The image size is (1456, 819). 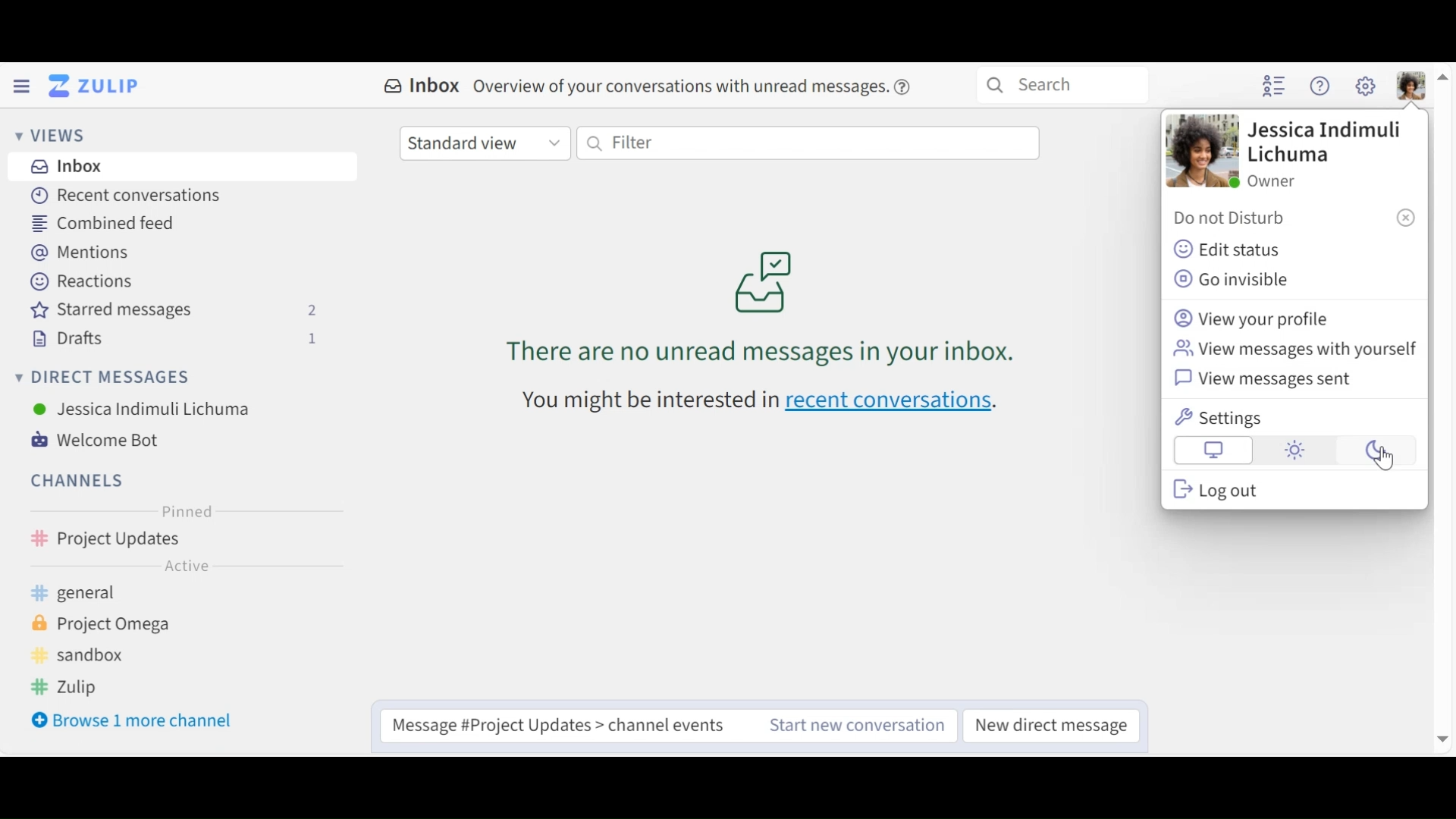 I want to click on Sandbox, so click(x=88, y=655).